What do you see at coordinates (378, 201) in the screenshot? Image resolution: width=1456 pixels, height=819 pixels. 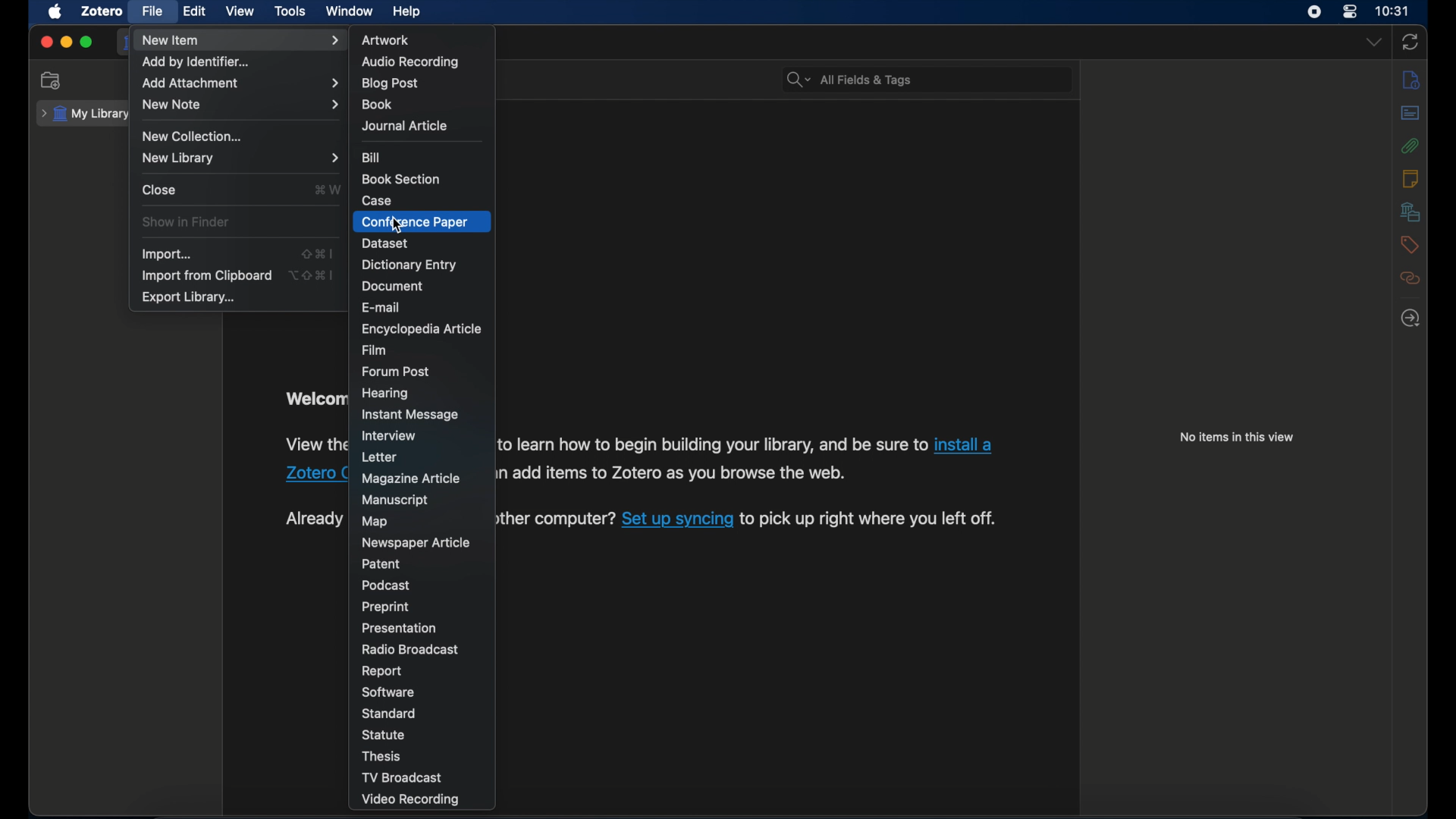 I see `case` at bounding box center [378, 201].